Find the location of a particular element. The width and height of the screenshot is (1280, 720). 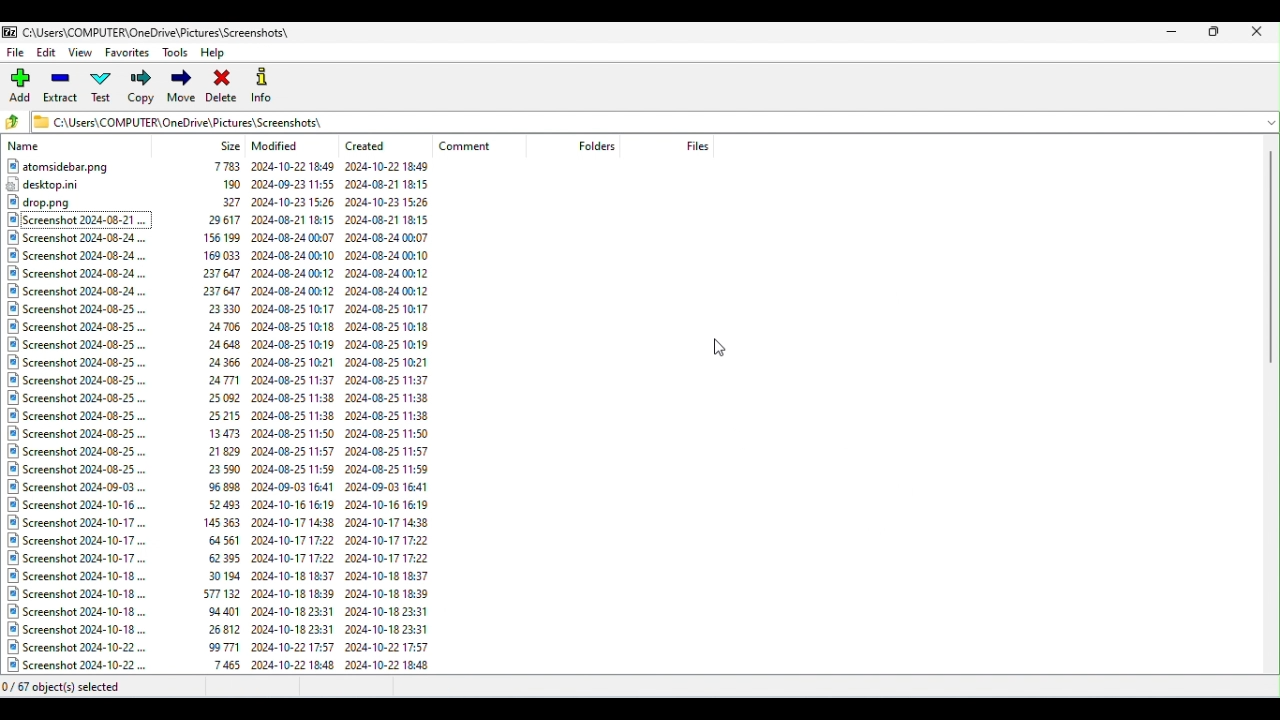

Modified is located at coordinates (279, 146).